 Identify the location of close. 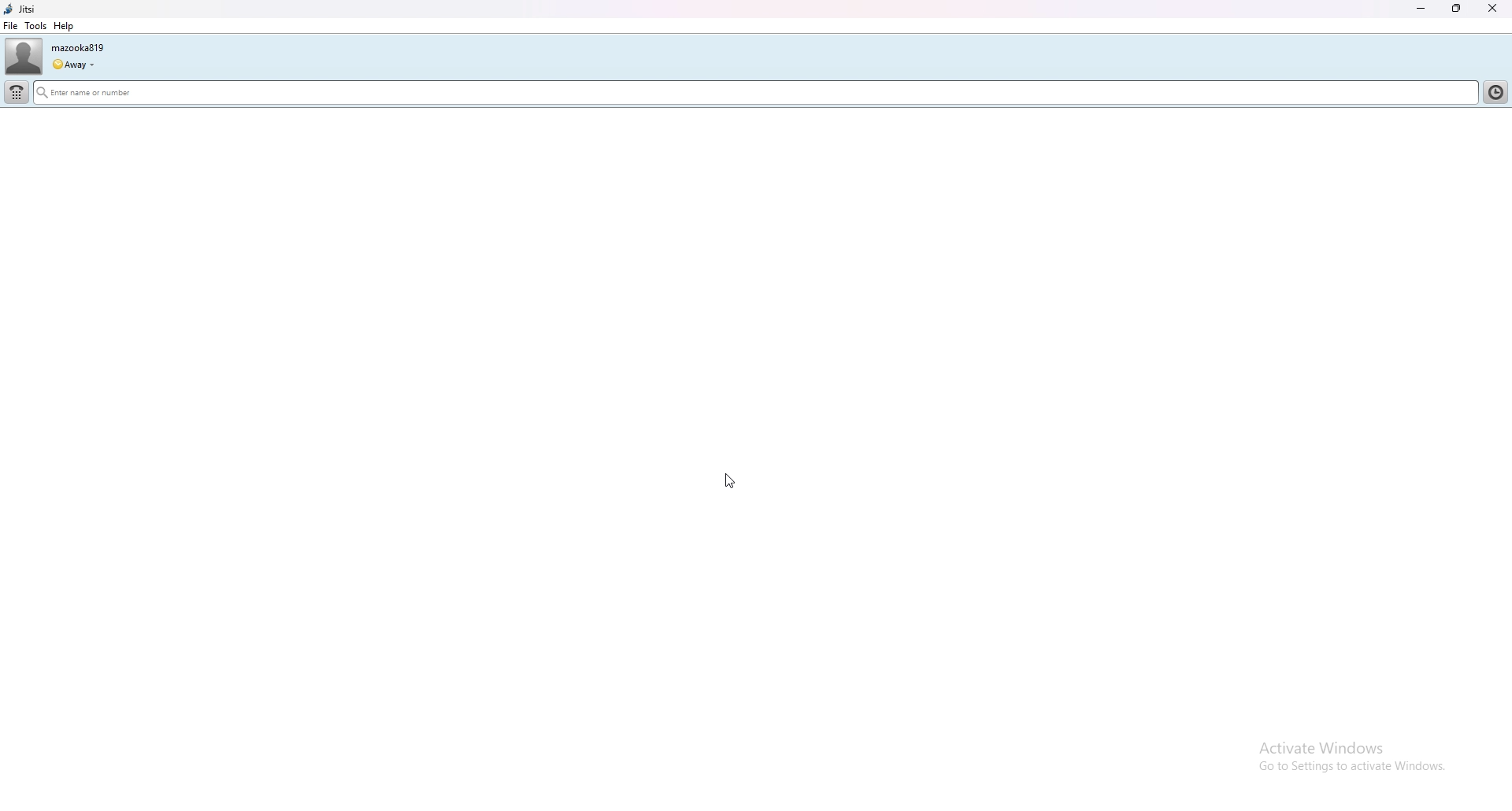
(1492, 9).